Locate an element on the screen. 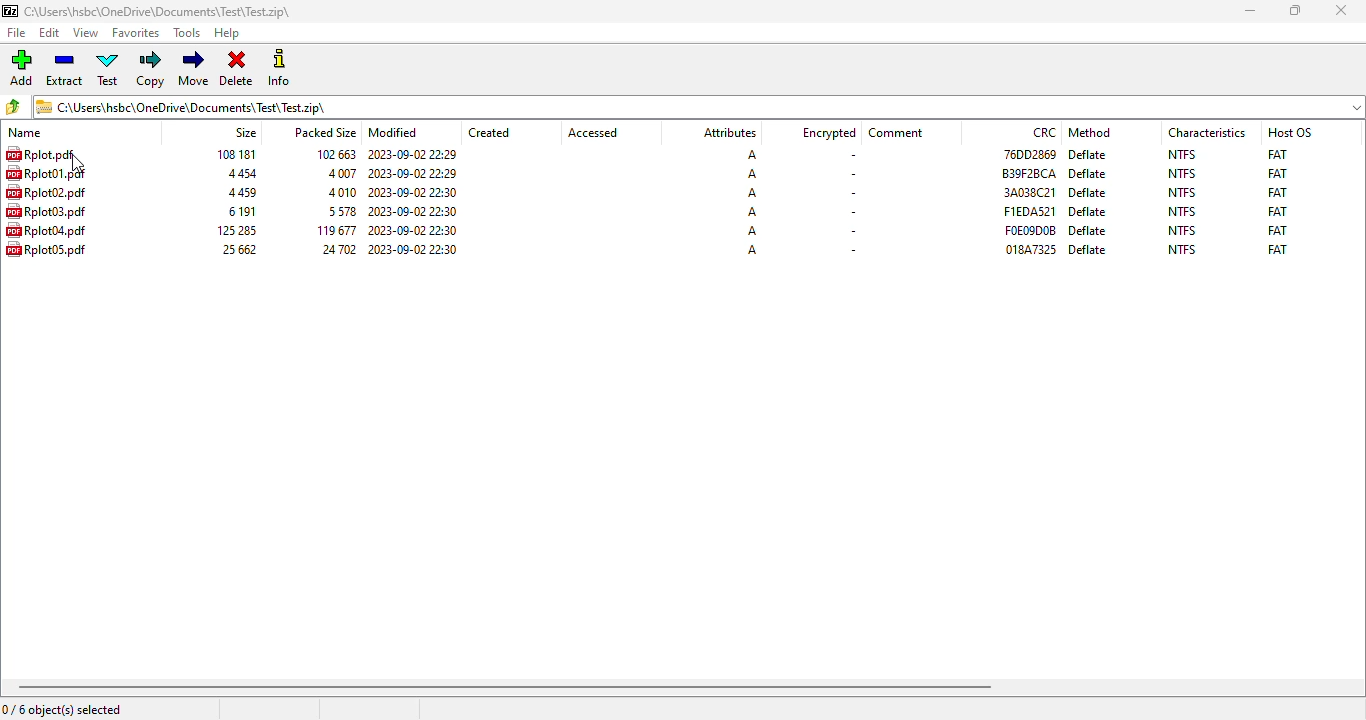  FAT is located at coordinates (1278, 211).